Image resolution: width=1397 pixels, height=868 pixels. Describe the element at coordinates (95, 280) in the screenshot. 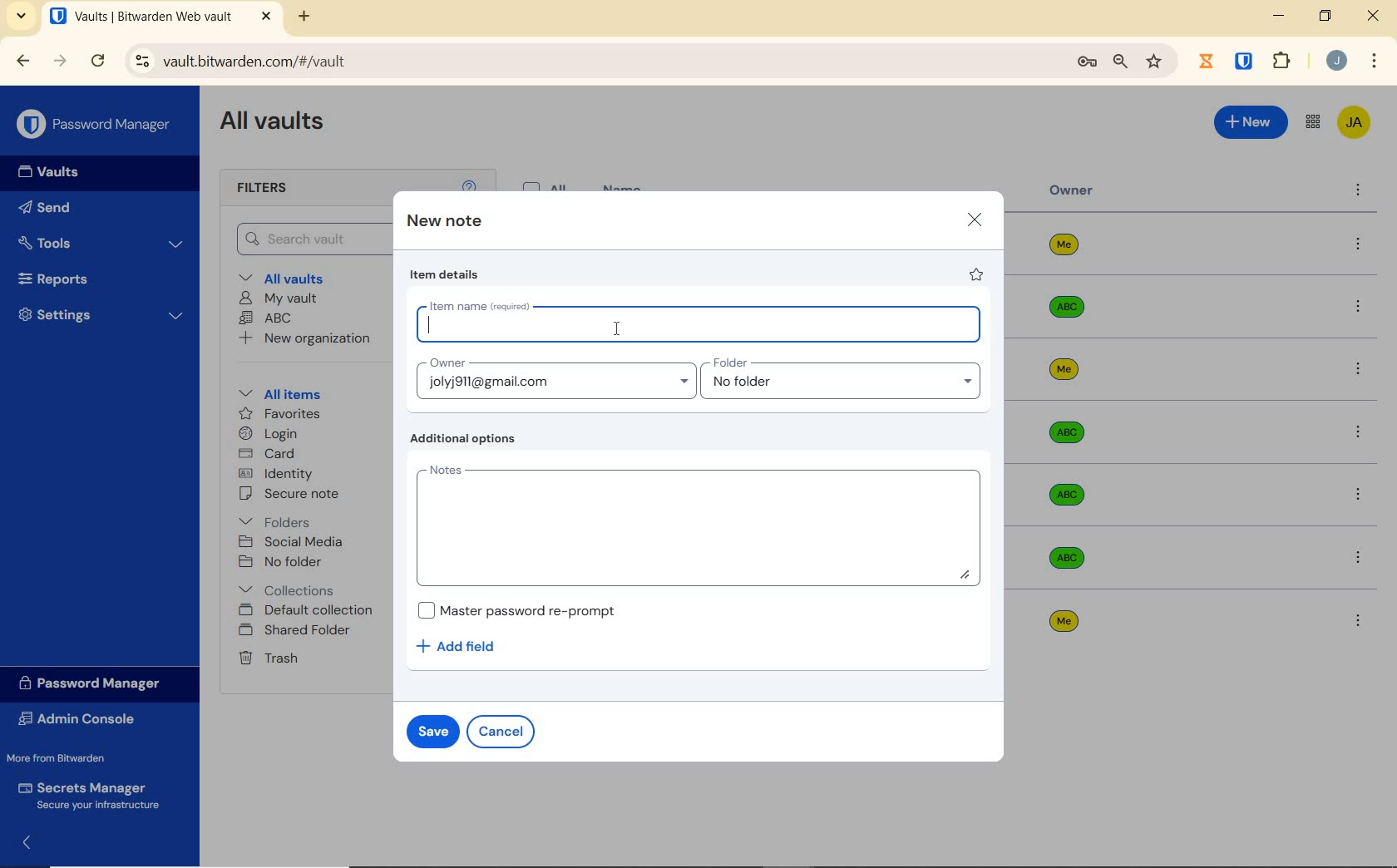

I see `Reports` at that location.